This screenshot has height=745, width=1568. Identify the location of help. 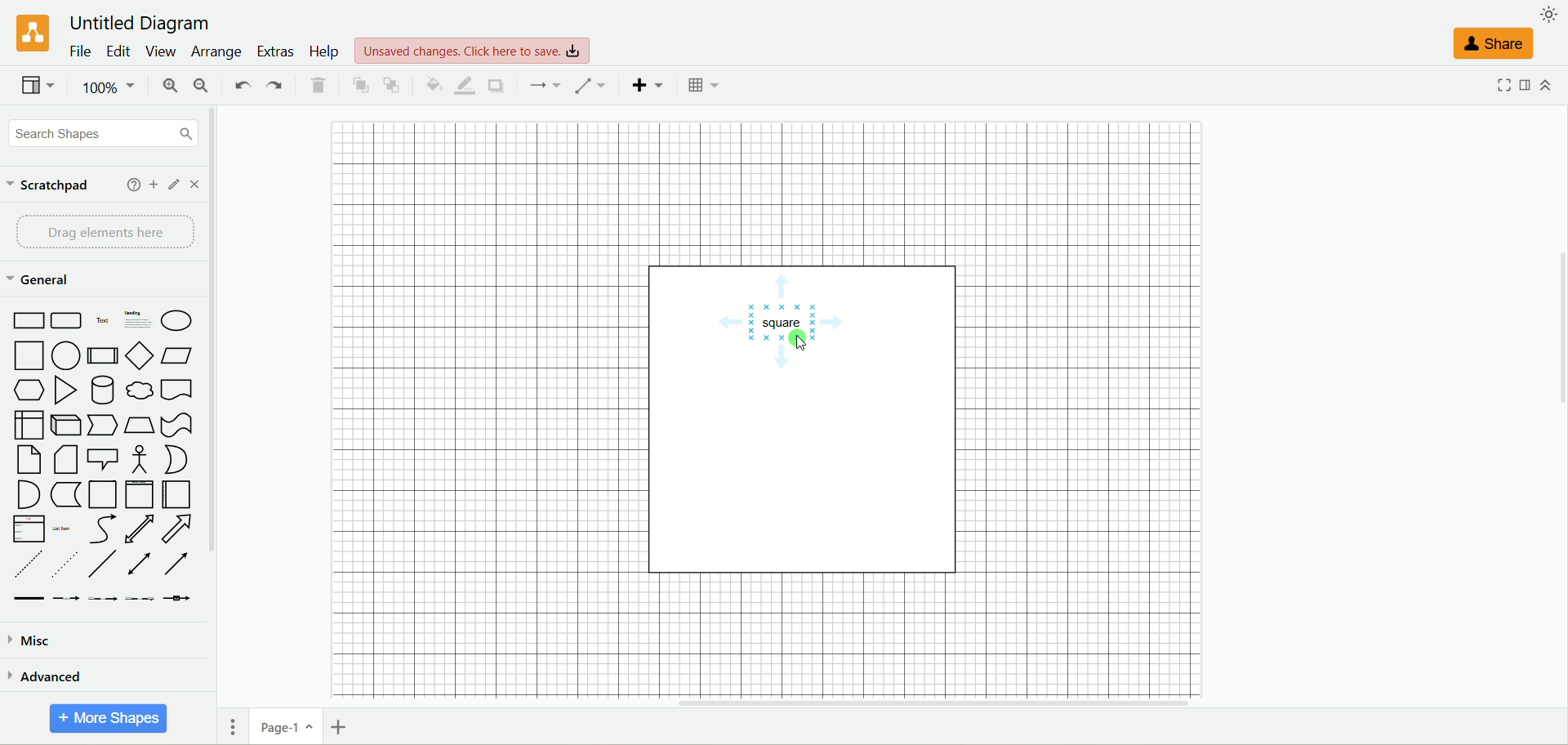
(322, 51).